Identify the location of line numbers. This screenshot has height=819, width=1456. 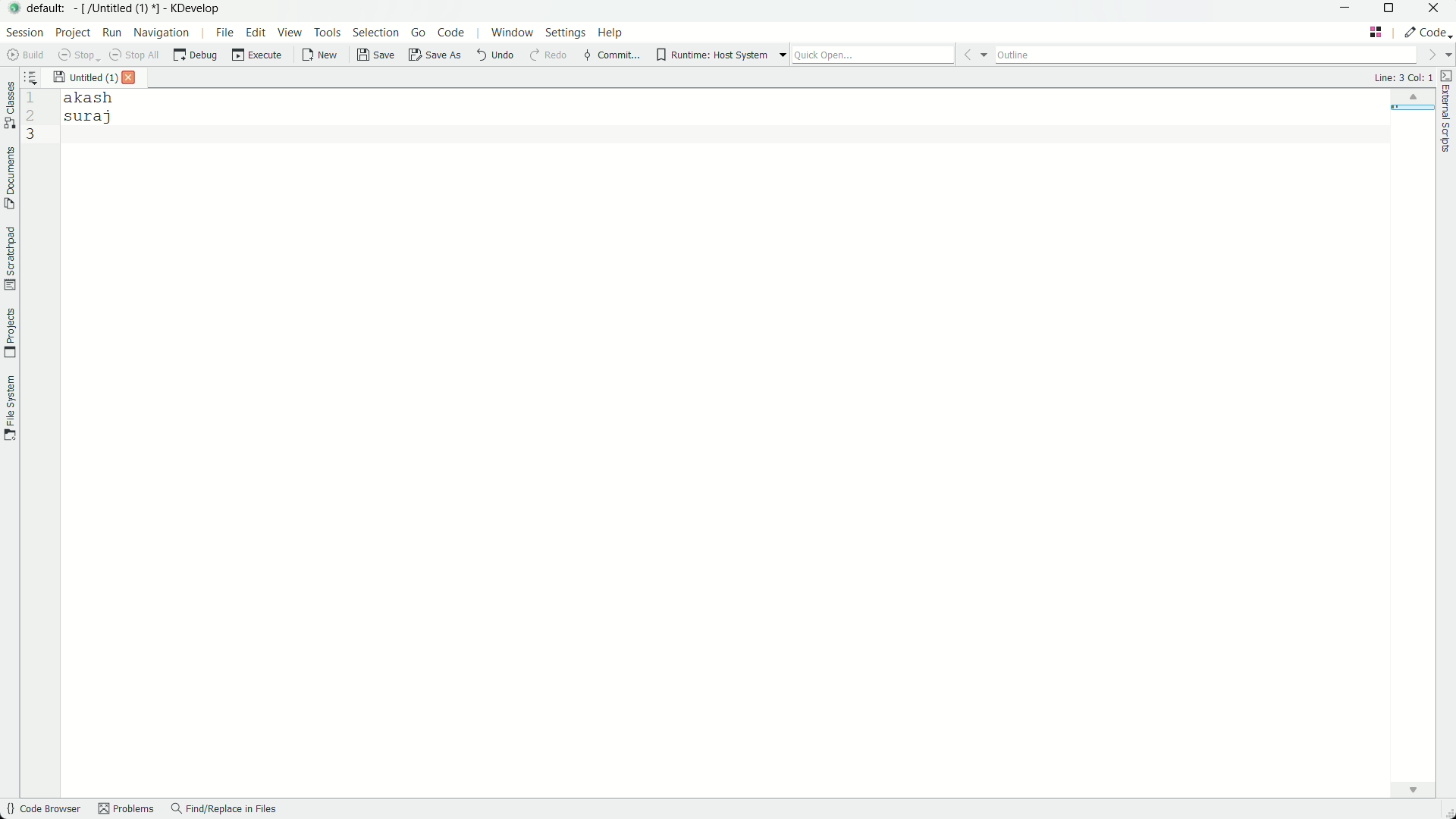
(30, 118).